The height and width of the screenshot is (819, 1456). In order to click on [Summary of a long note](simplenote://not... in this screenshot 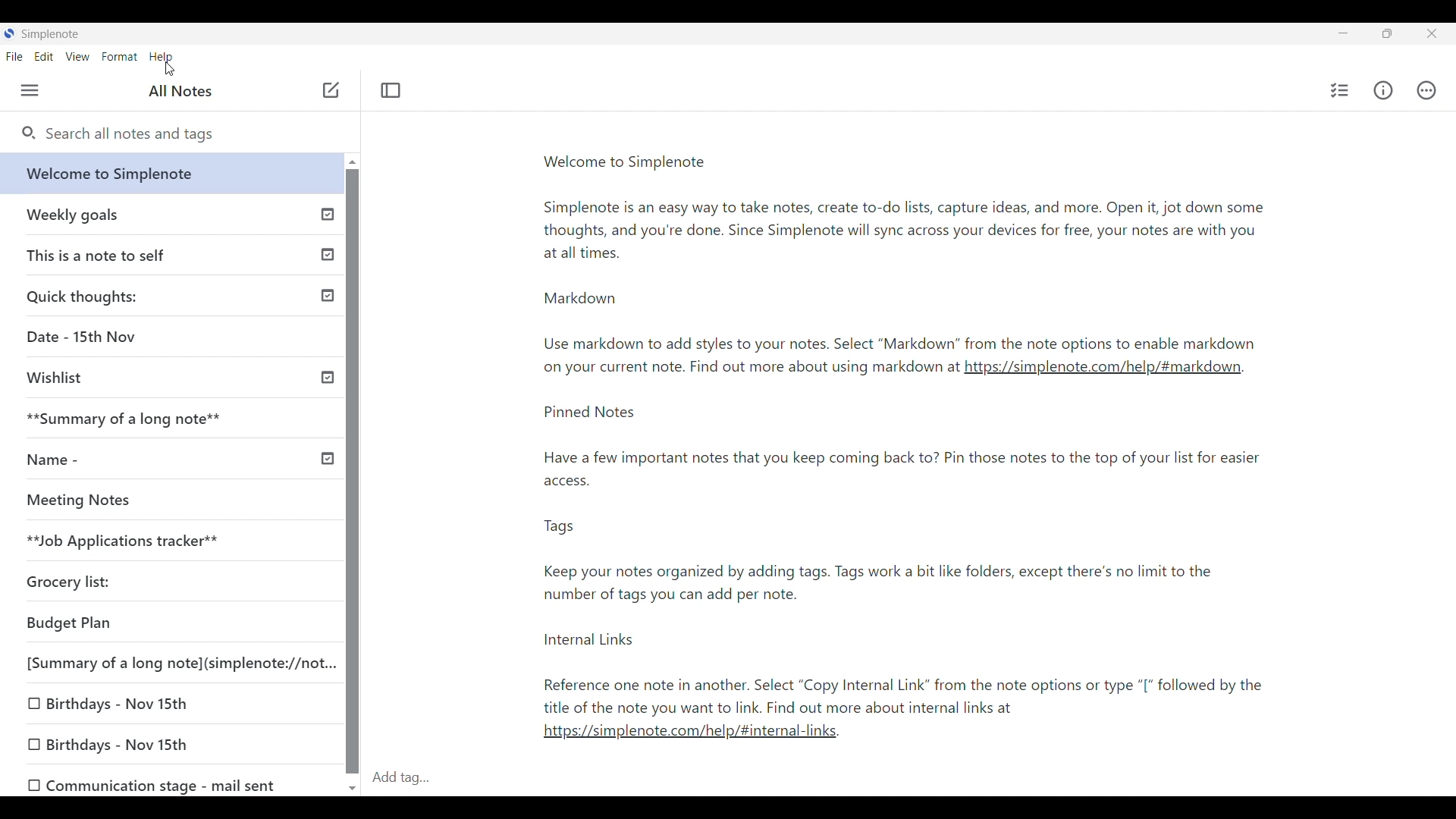, I will do `click(176, 664)`.